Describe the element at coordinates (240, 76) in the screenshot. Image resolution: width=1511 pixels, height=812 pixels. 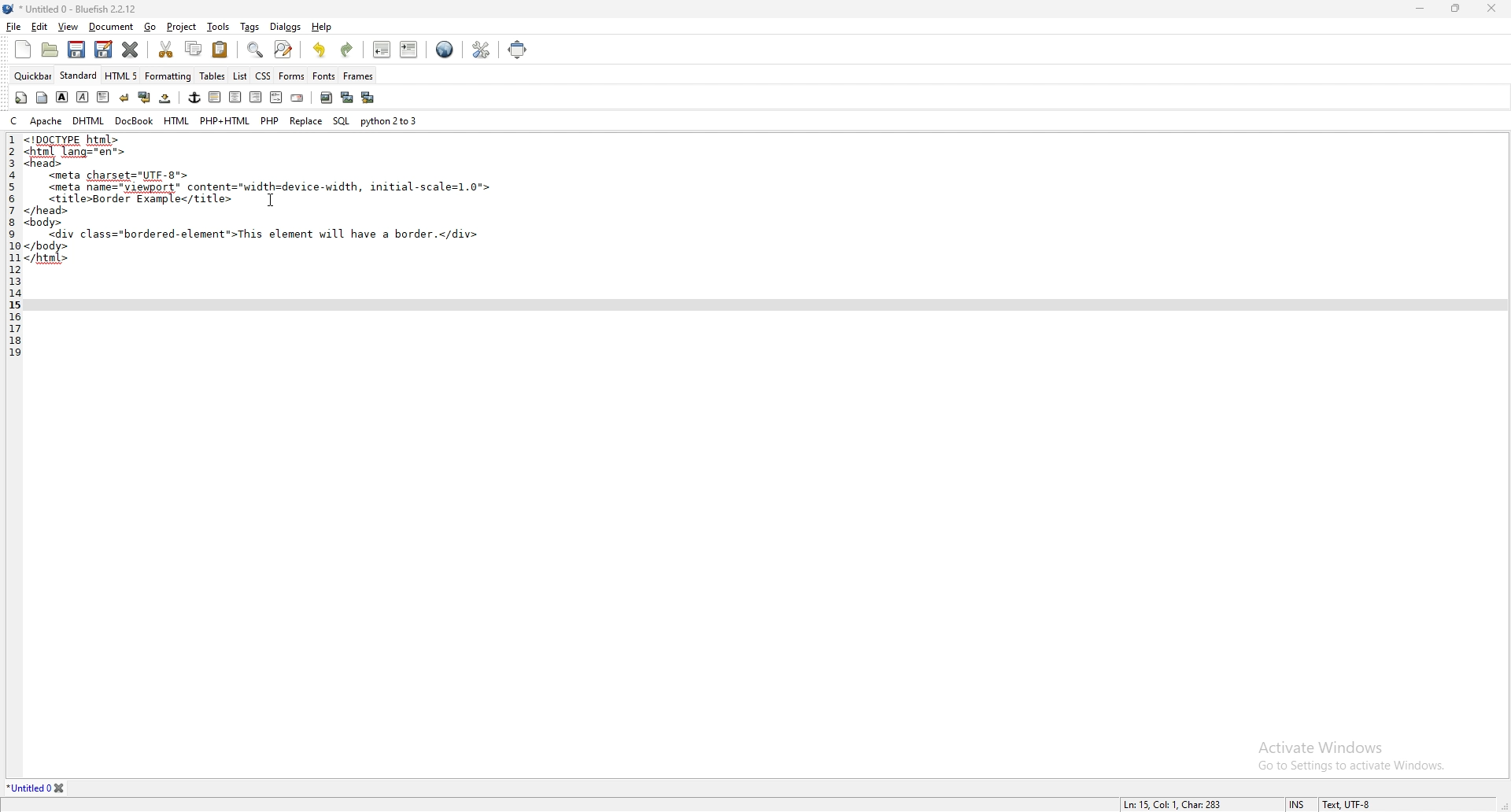
I see `list` at that location.